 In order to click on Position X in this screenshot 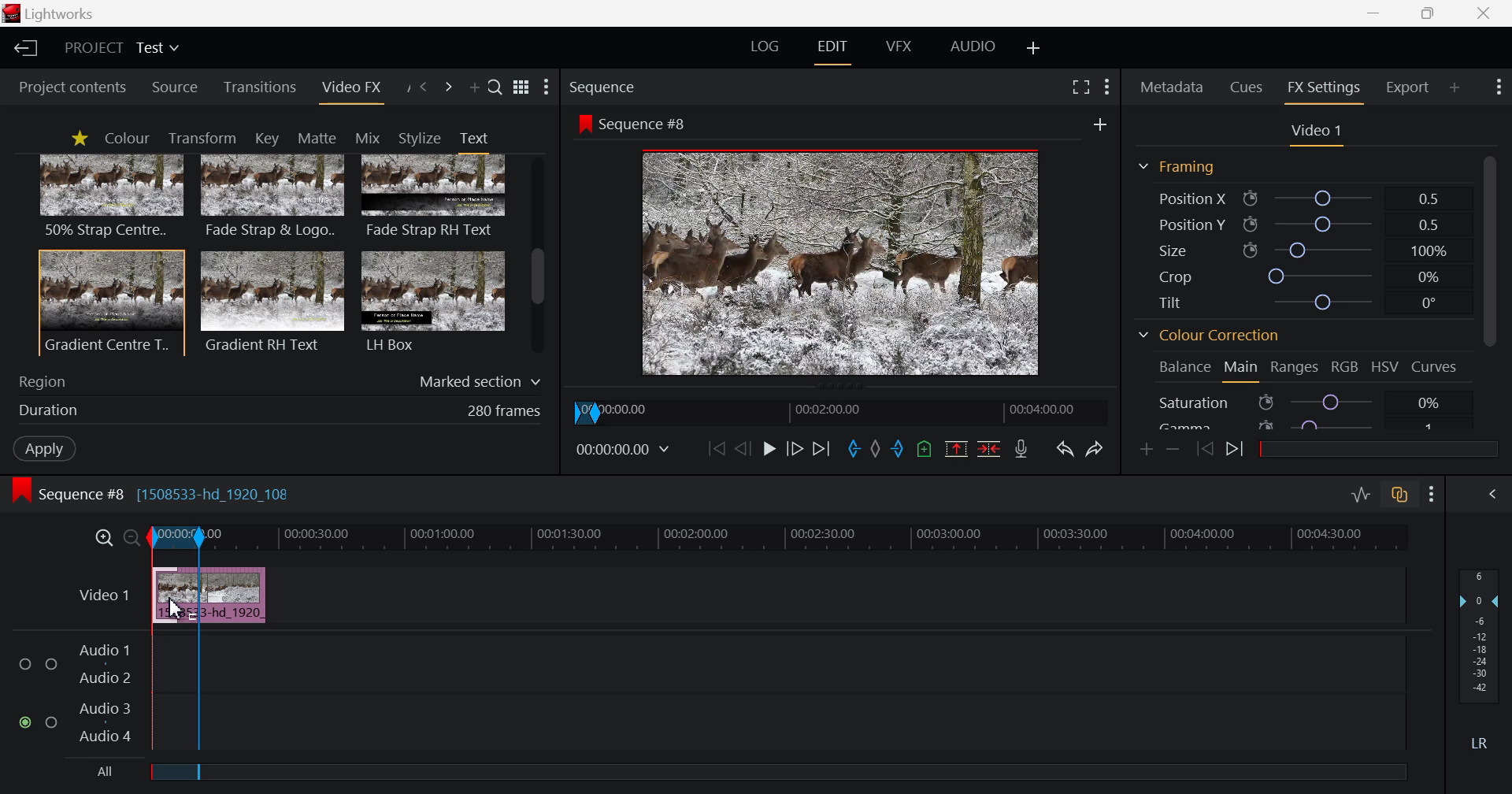, I will do `click(1296, 199)`.